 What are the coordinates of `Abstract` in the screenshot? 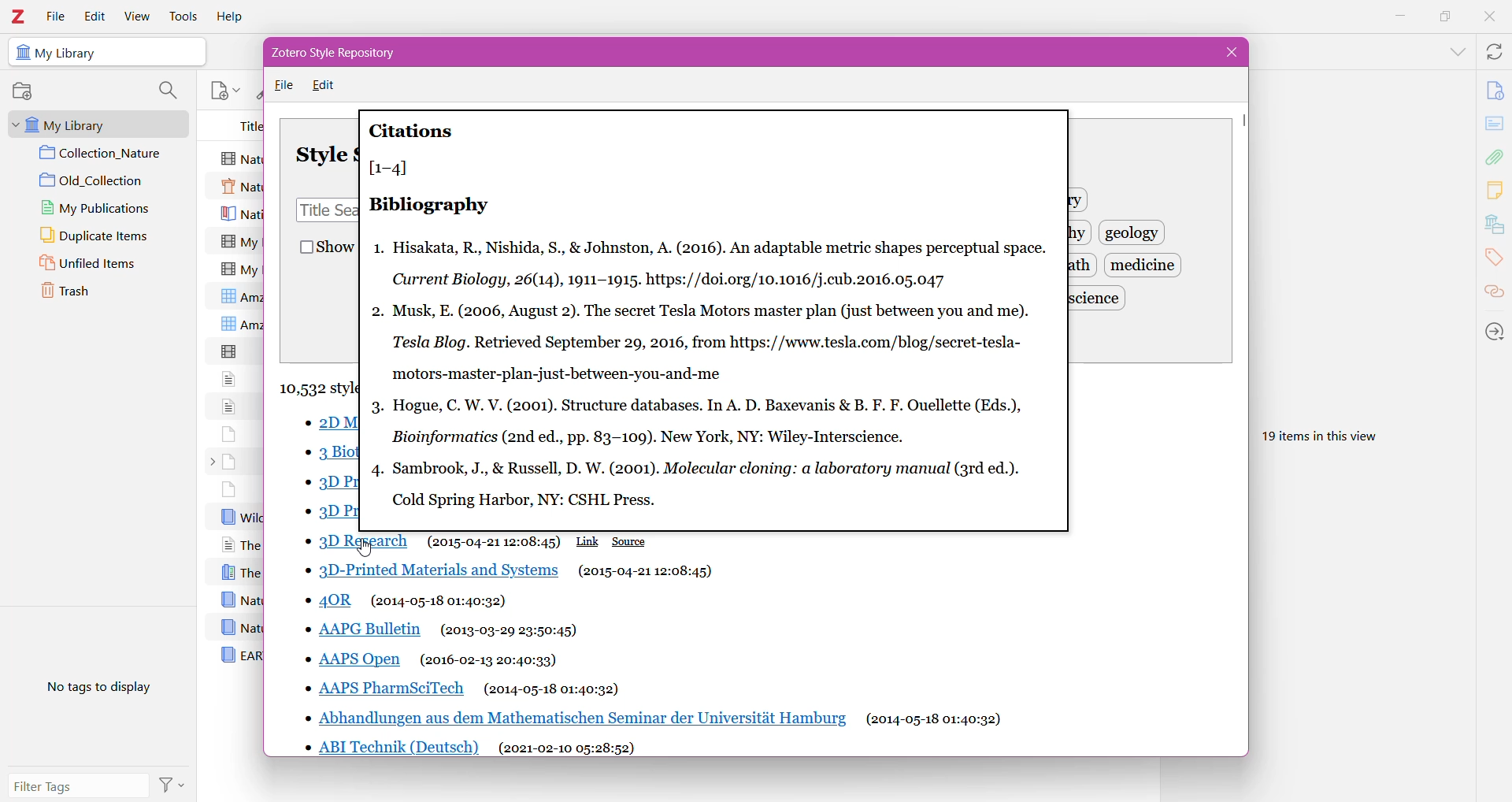 It's located at (1495, 124).